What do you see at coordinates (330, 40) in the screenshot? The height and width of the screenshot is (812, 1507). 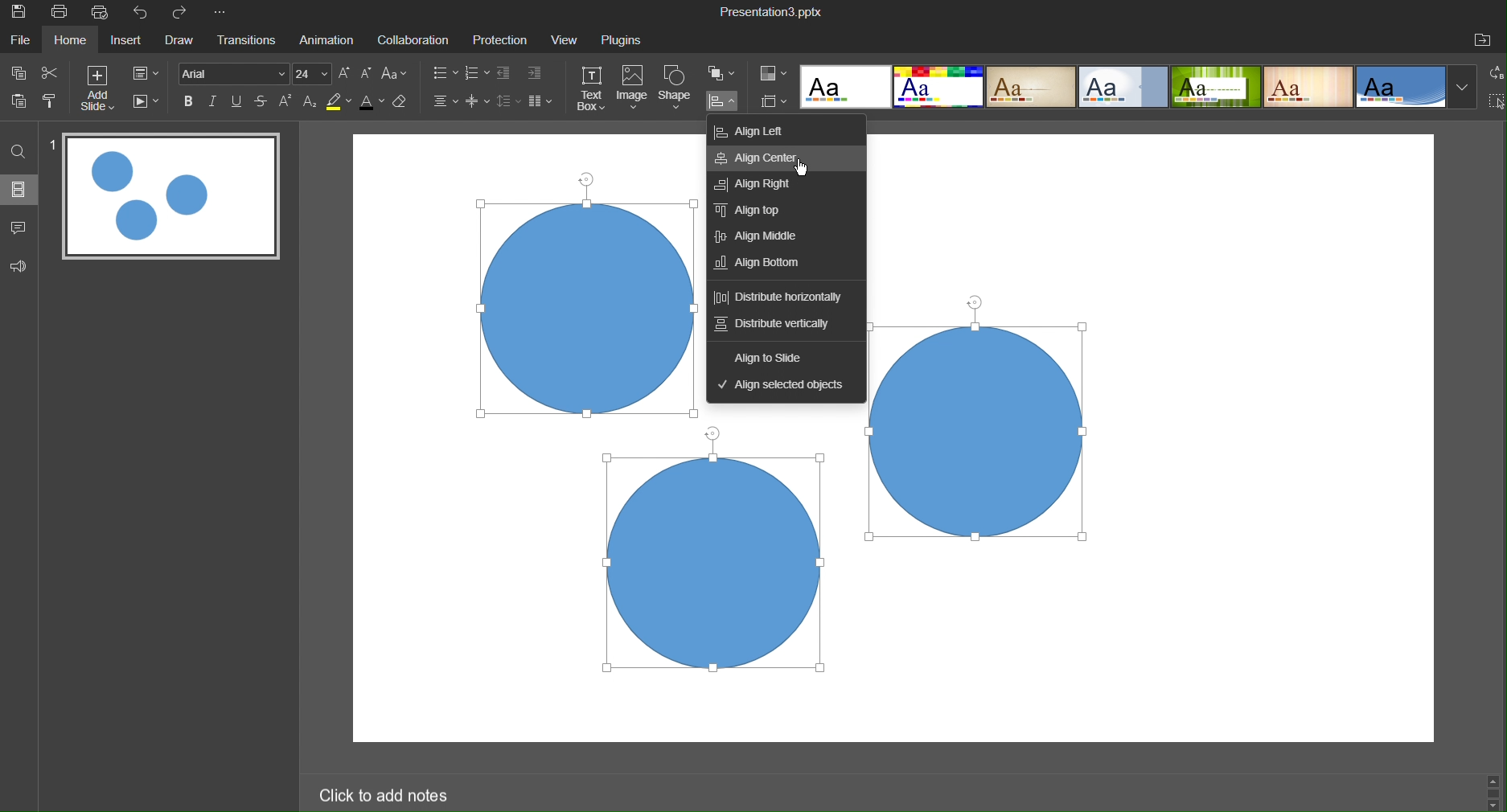 I see `Animation` at bounding box center [330, 40].